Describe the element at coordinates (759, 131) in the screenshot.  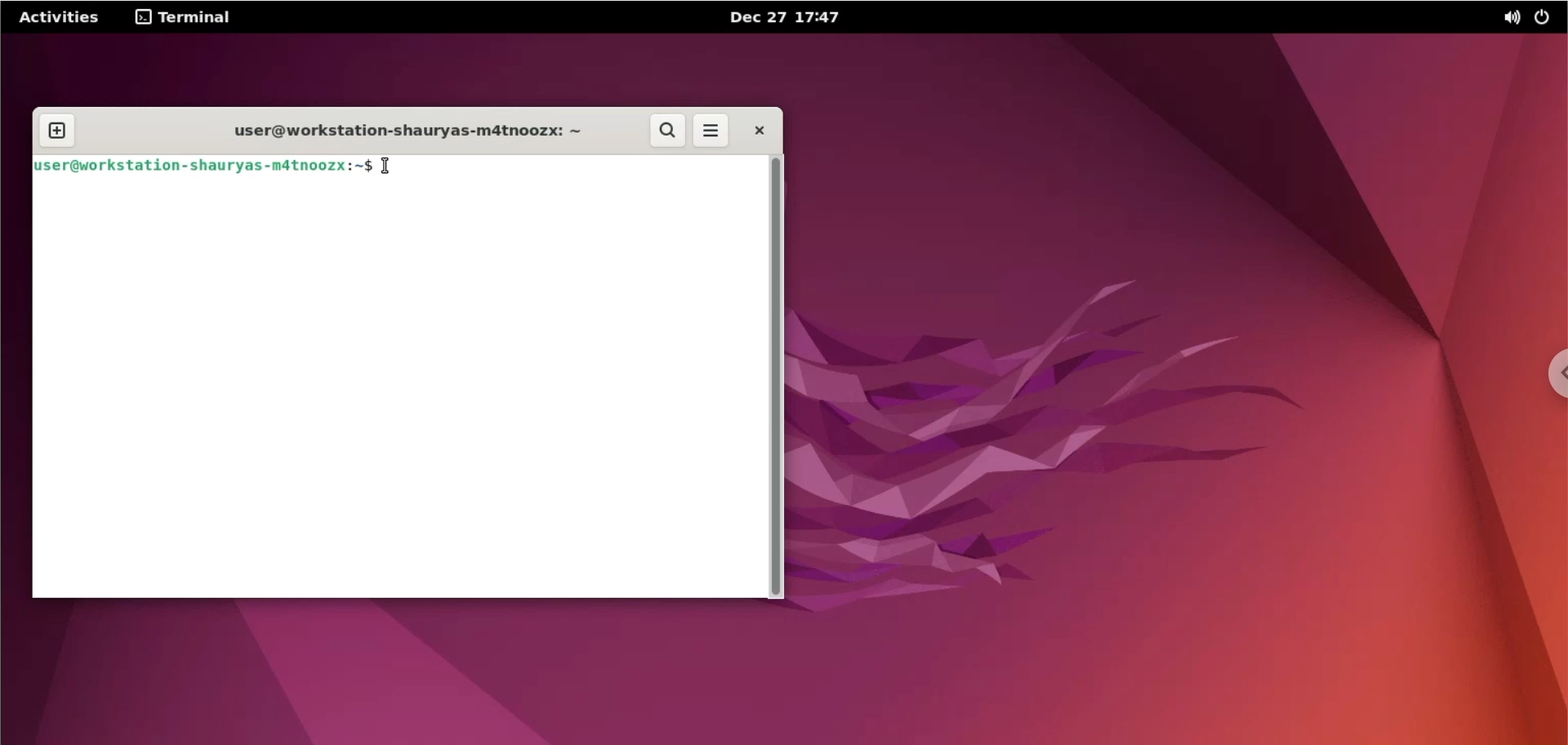
I see `close` at that location.